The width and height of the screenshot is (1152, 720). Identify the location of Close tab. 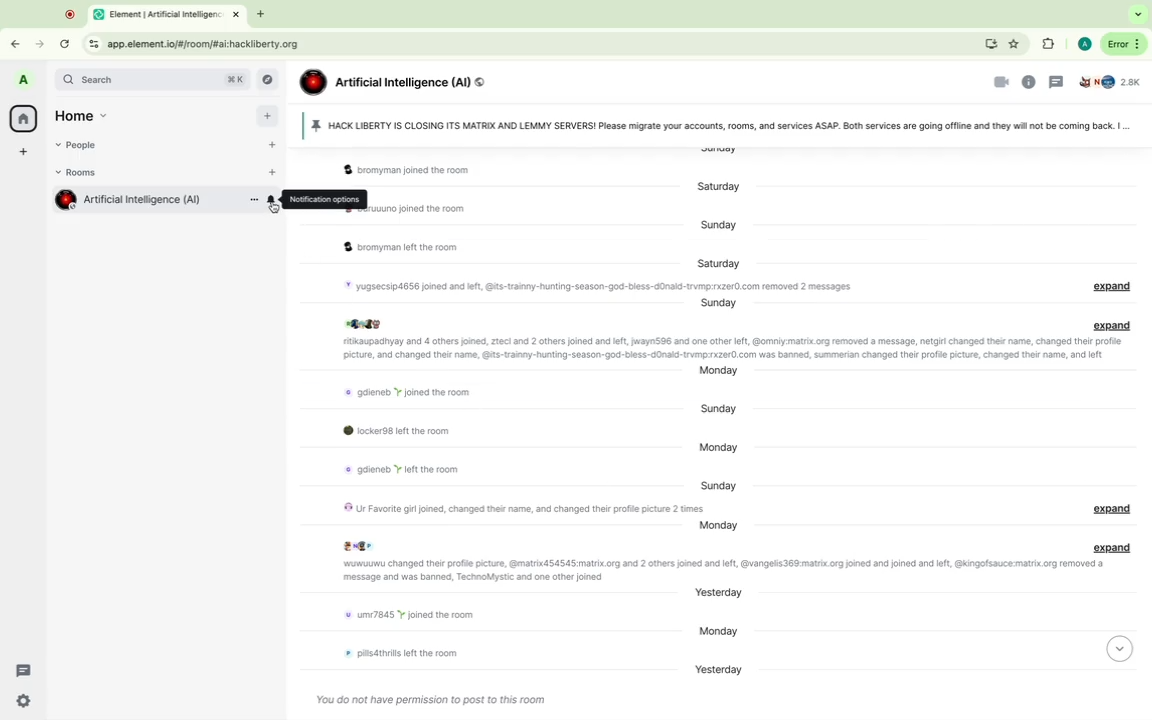
(236, 14).